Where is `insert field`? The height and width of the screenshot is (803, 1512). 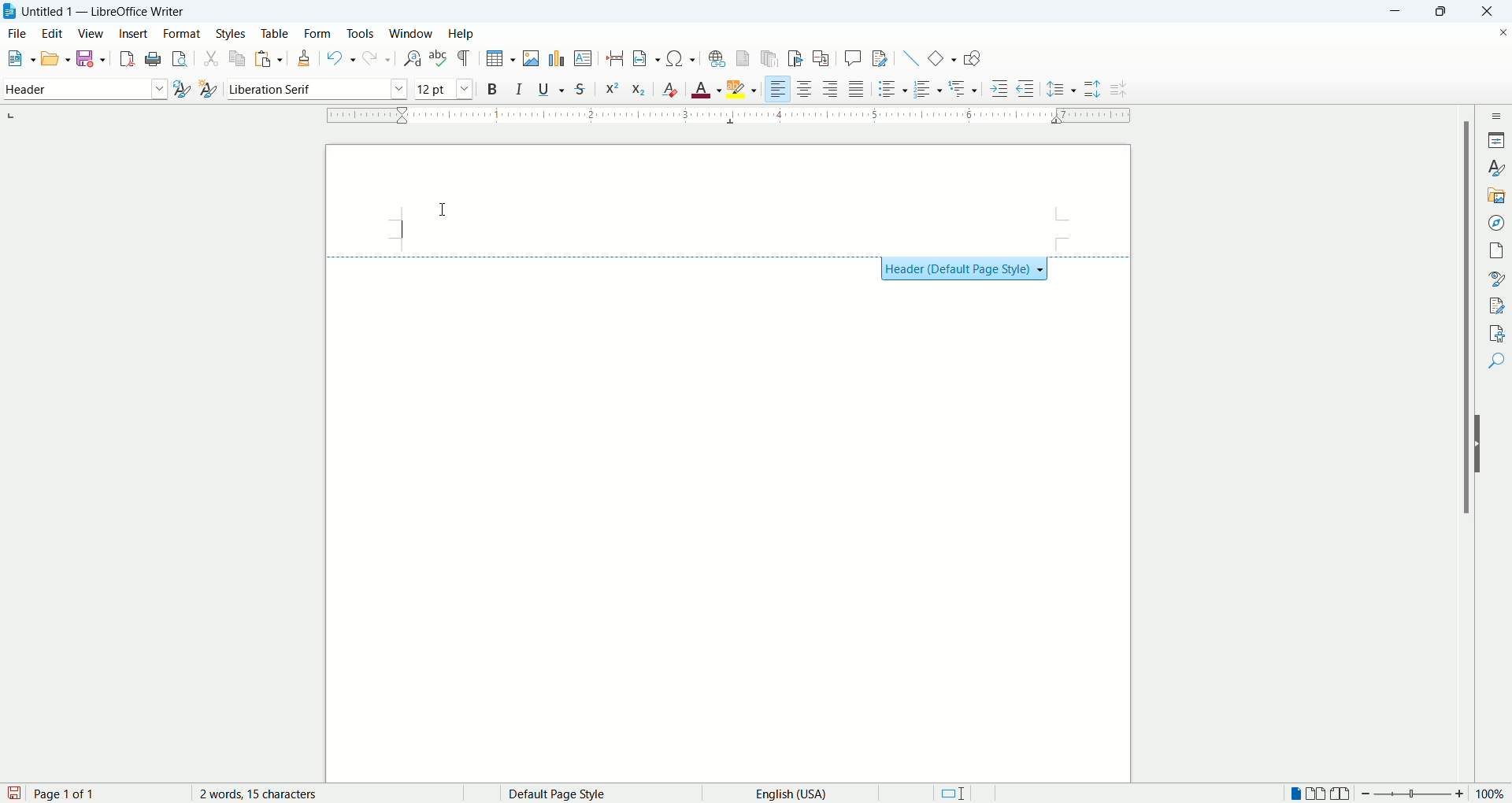 insert field is located at coordinates (646, 58).